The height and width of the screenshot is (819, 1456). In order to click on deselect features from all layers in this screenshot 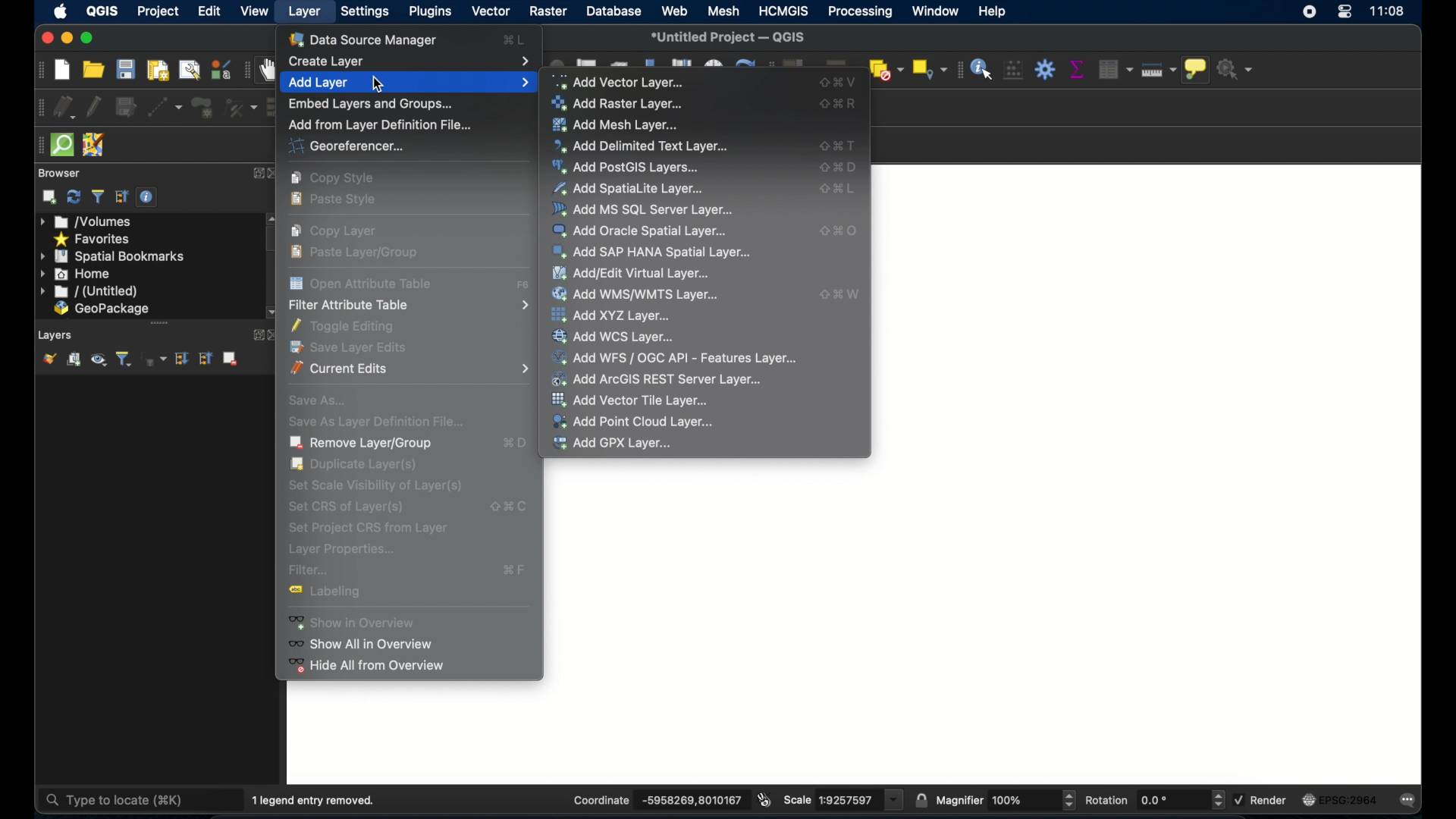, I will do `click(886, 69)`.